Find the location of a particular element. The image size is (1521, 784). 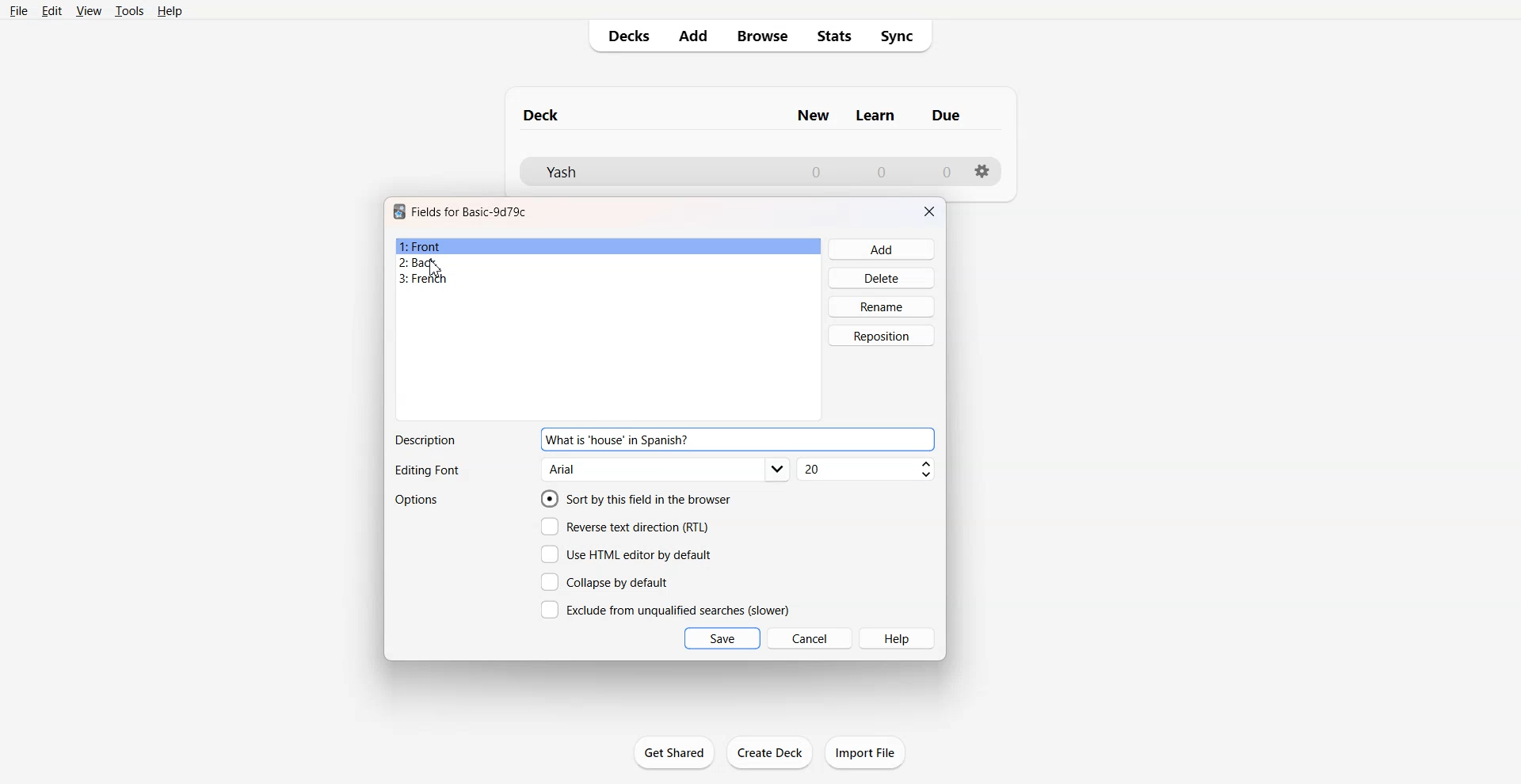

Save is located at coordinates (722, 638).